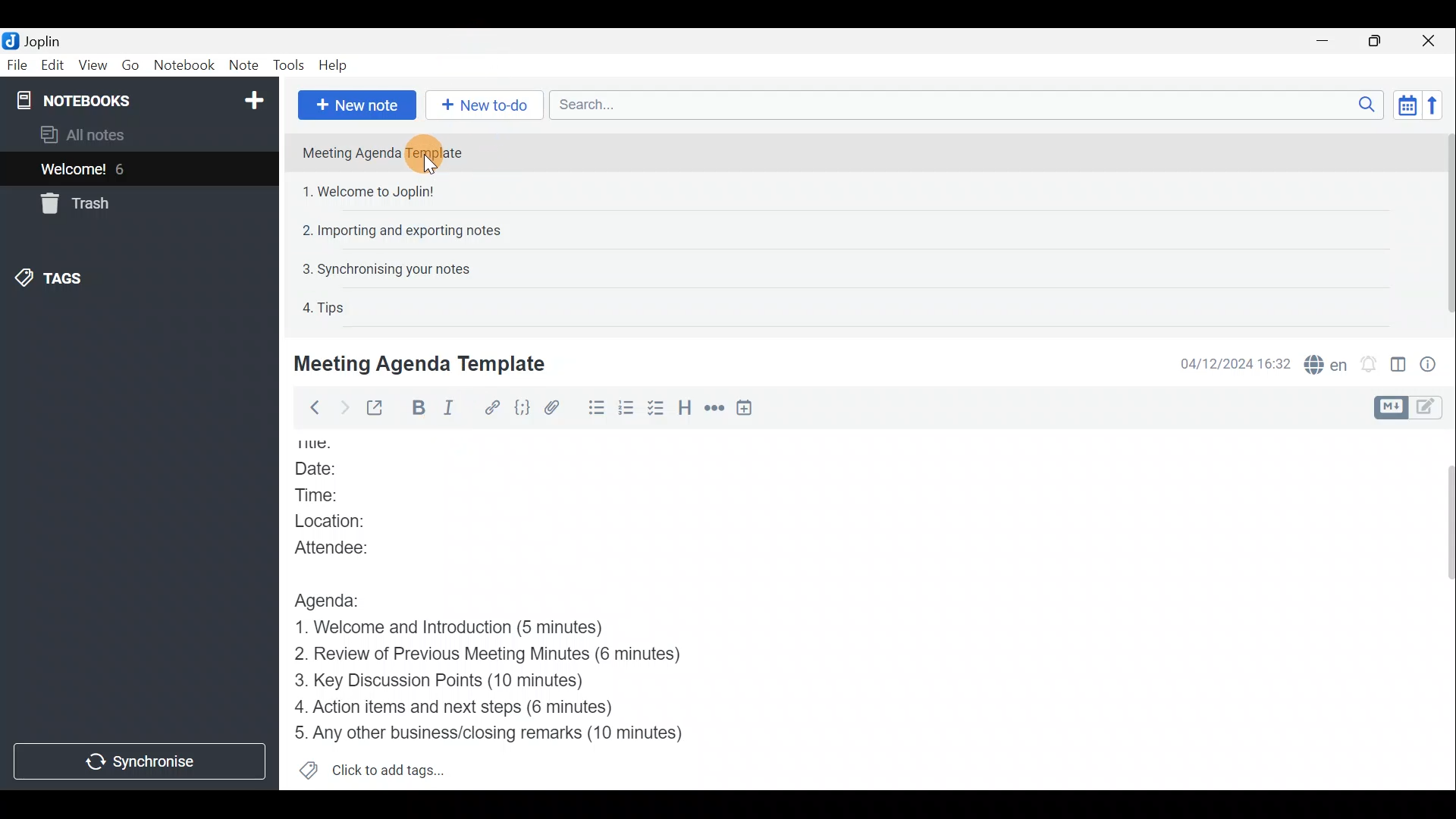 This screenshot has height=819, width=1456. What do you see at coordinates (1399, 367) in the screenshot?
I see `Toggle editor layout` at bounding box center [1399, 367].